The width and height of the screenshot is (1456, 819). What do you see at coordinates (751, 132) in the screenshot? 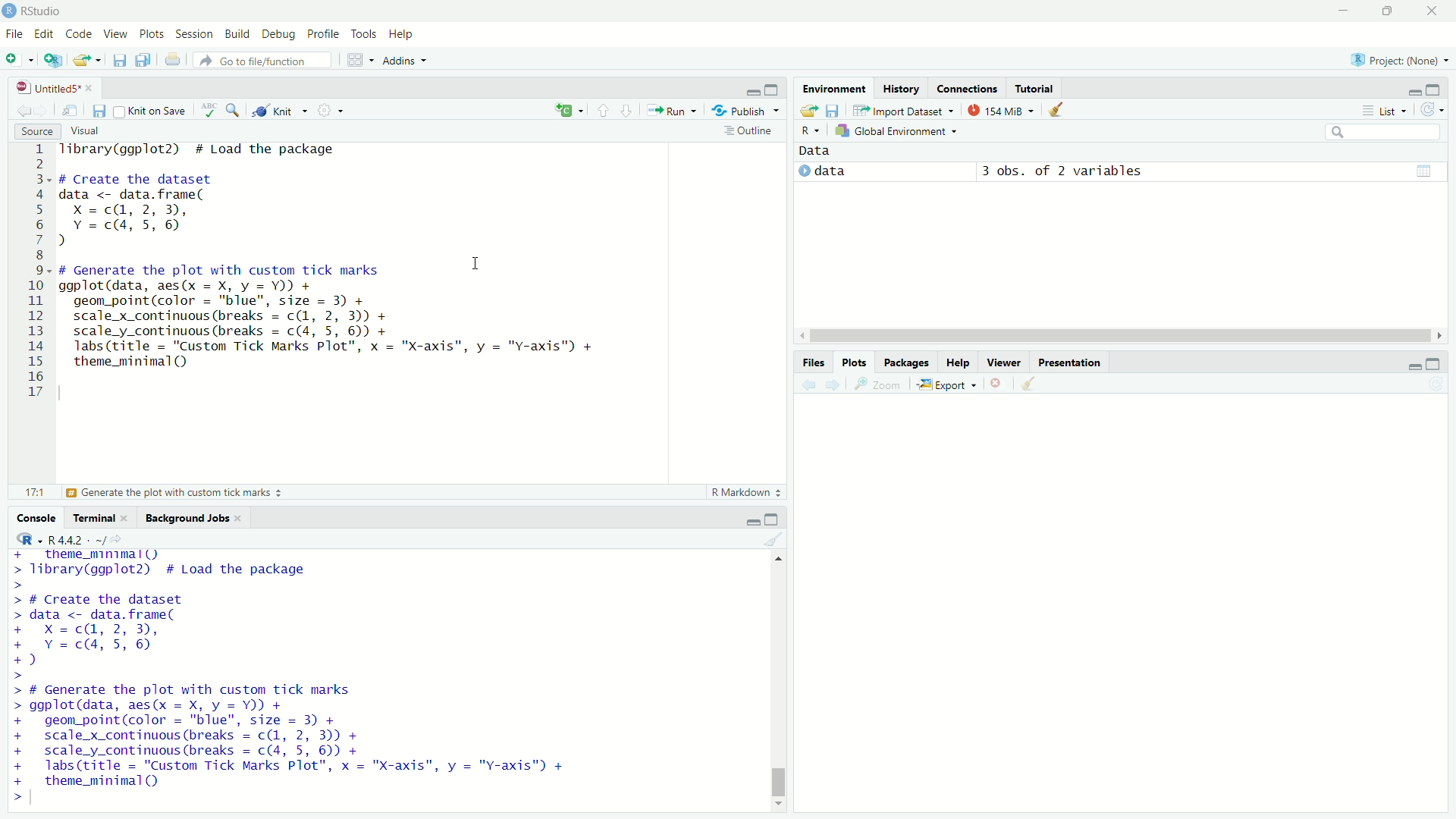
I see `outline` at bounding box center [751, 132].